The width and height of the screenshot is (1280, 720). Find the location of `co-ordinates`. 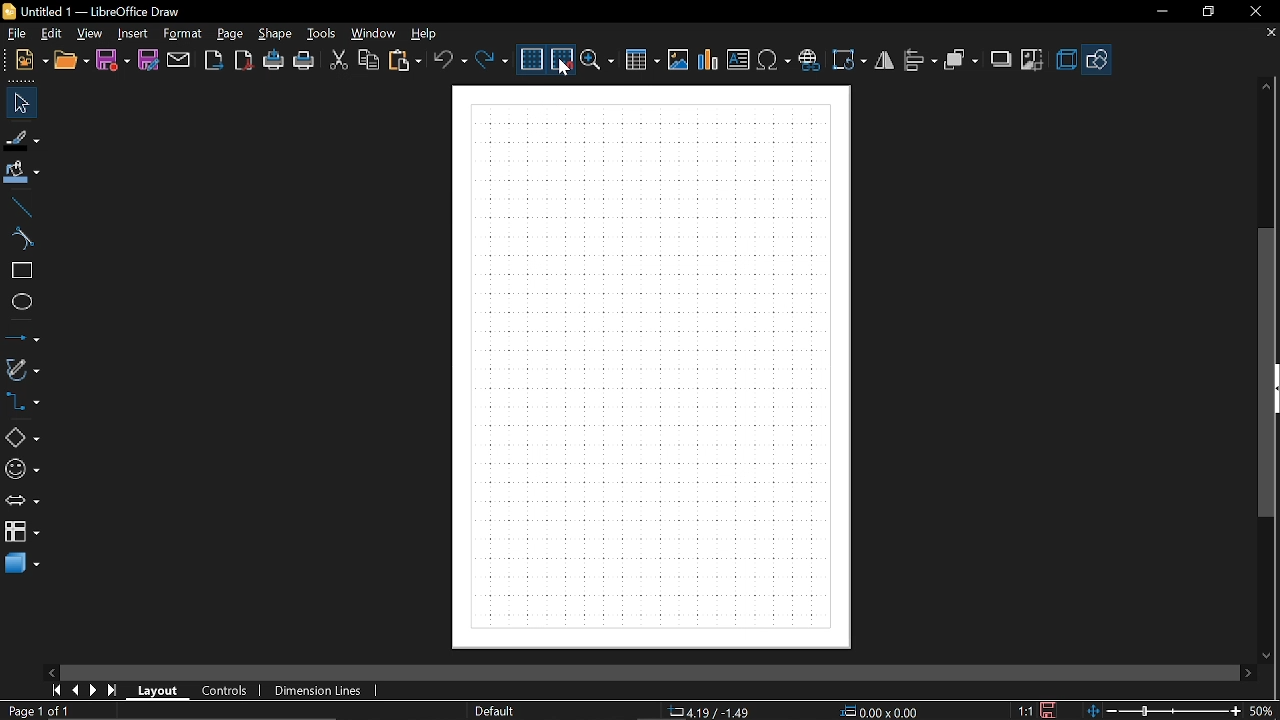

co-ordinates is located at coordinates (710, 712).